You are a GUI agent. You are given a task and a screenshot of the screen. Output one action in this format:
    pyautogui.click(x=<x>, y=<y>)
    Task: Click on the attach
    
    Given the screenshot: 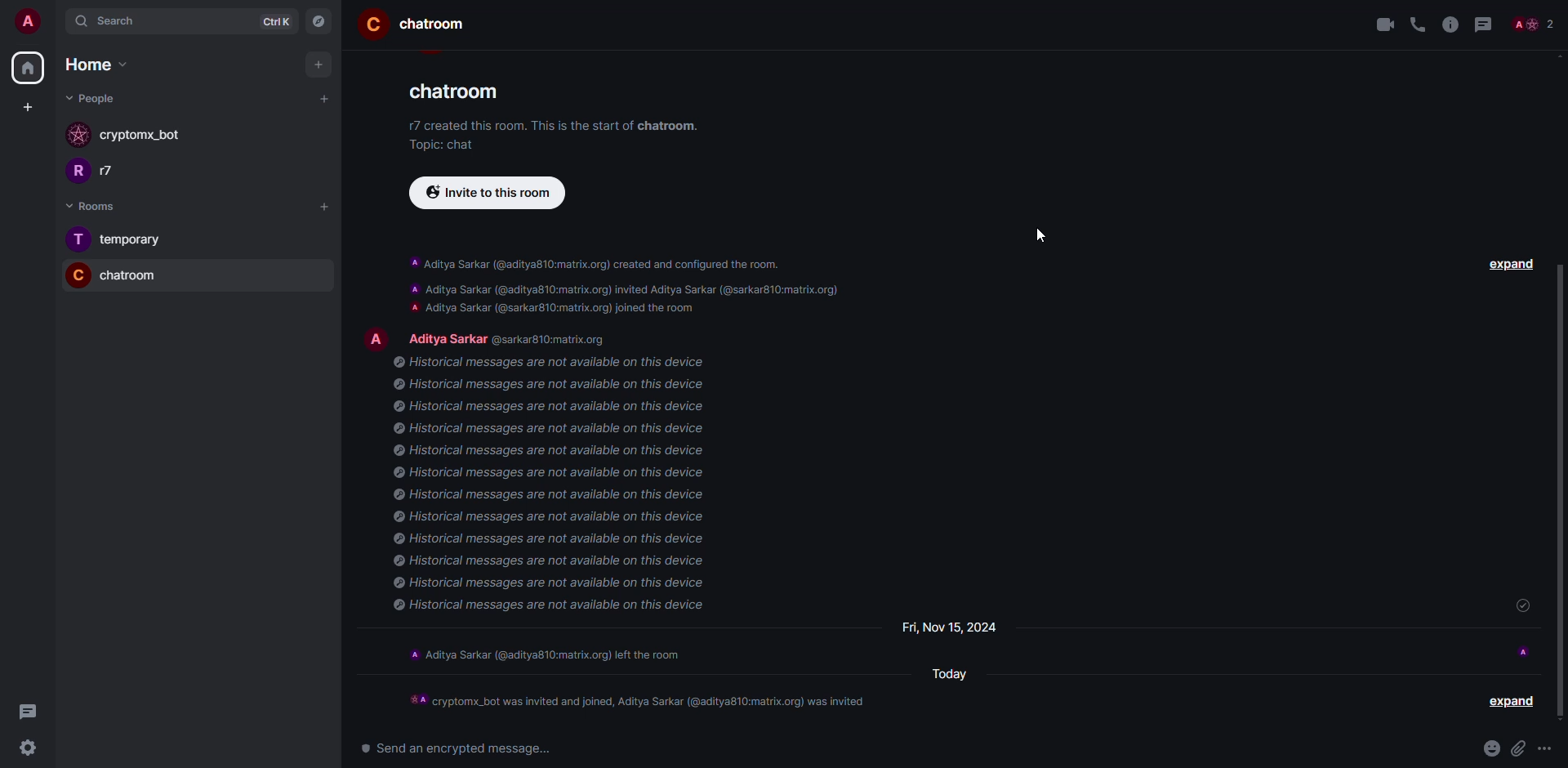 What is the action you would take?
    pyautogui.click(x=1518, y=747)
    